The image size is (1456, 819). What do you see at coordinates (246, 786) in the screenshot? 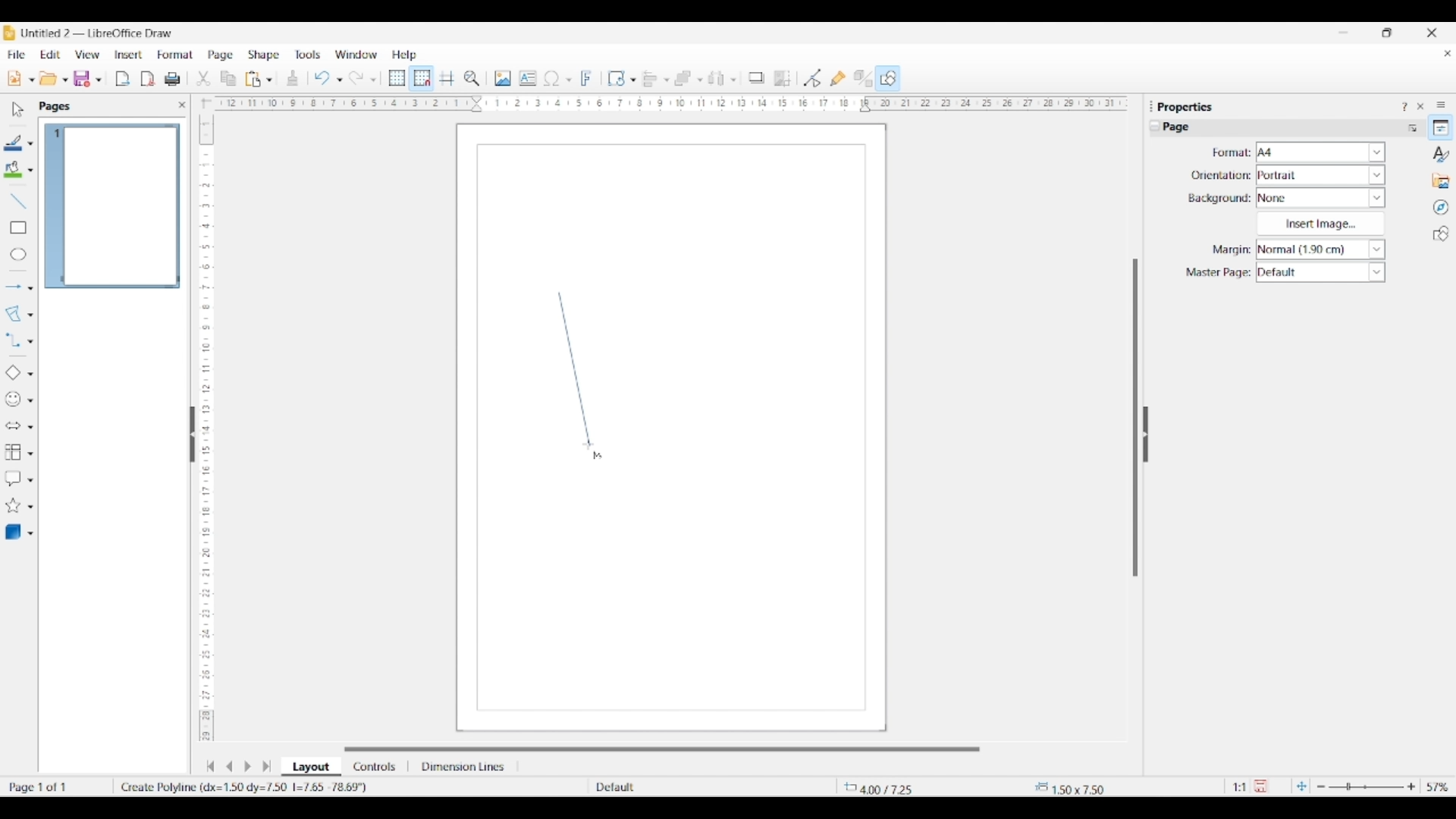
I see `Polygon co-ordinates` at bounding box center [246, 786].